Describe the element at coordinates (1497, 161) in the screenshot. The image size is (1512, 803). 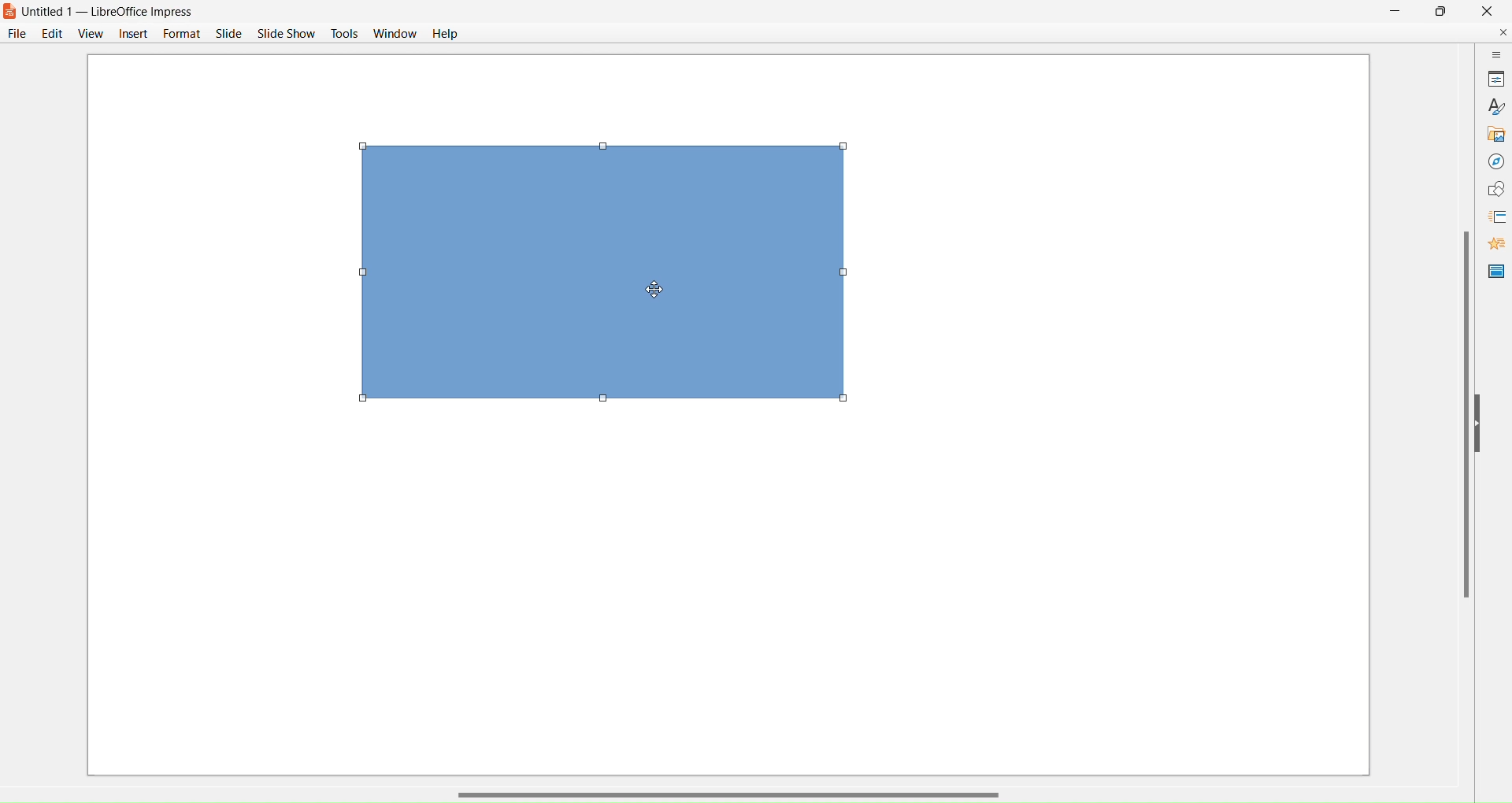
I see `Navigator` at that location.